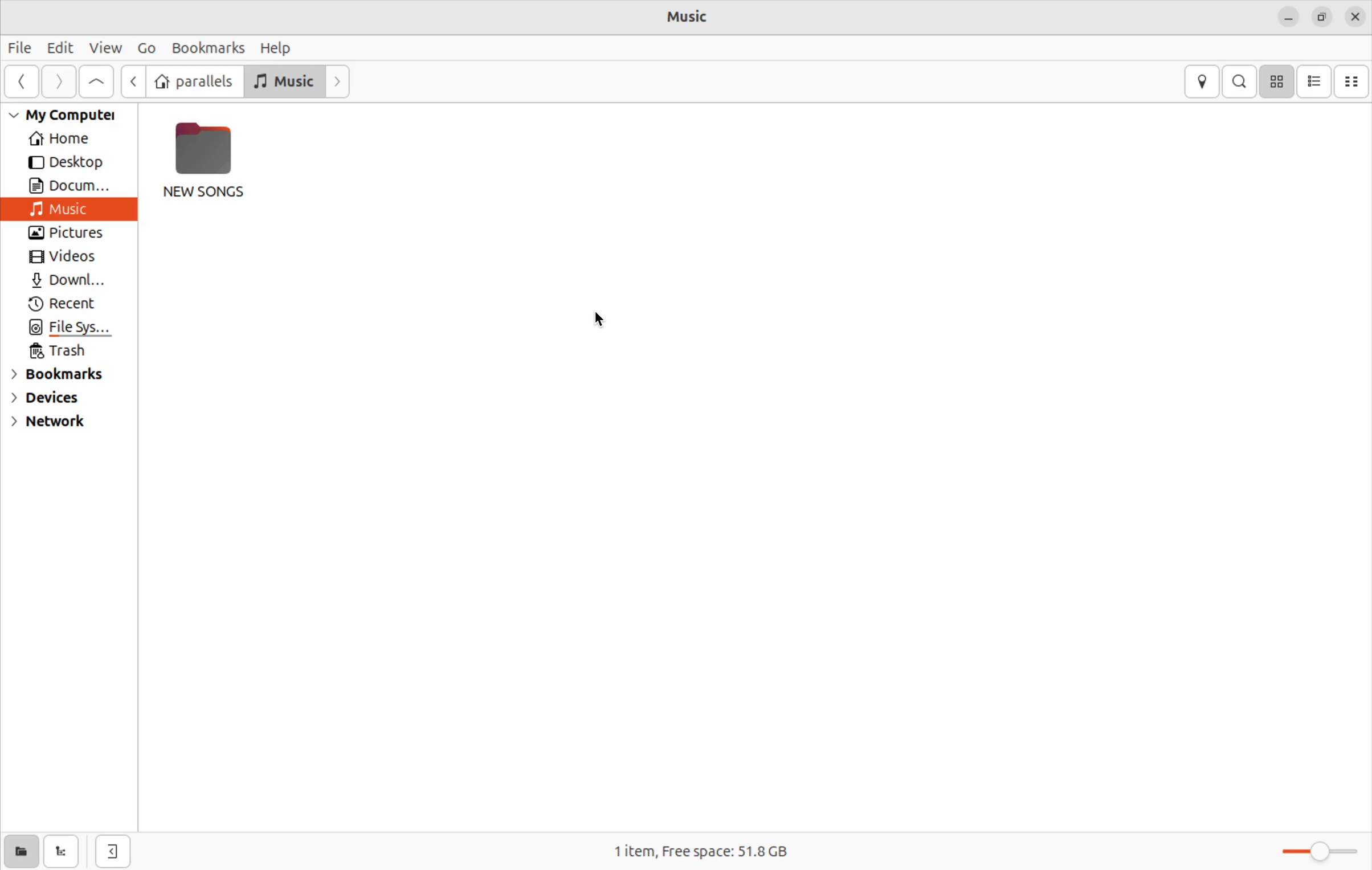  I want to click on Compact view, so click(1353, 82).